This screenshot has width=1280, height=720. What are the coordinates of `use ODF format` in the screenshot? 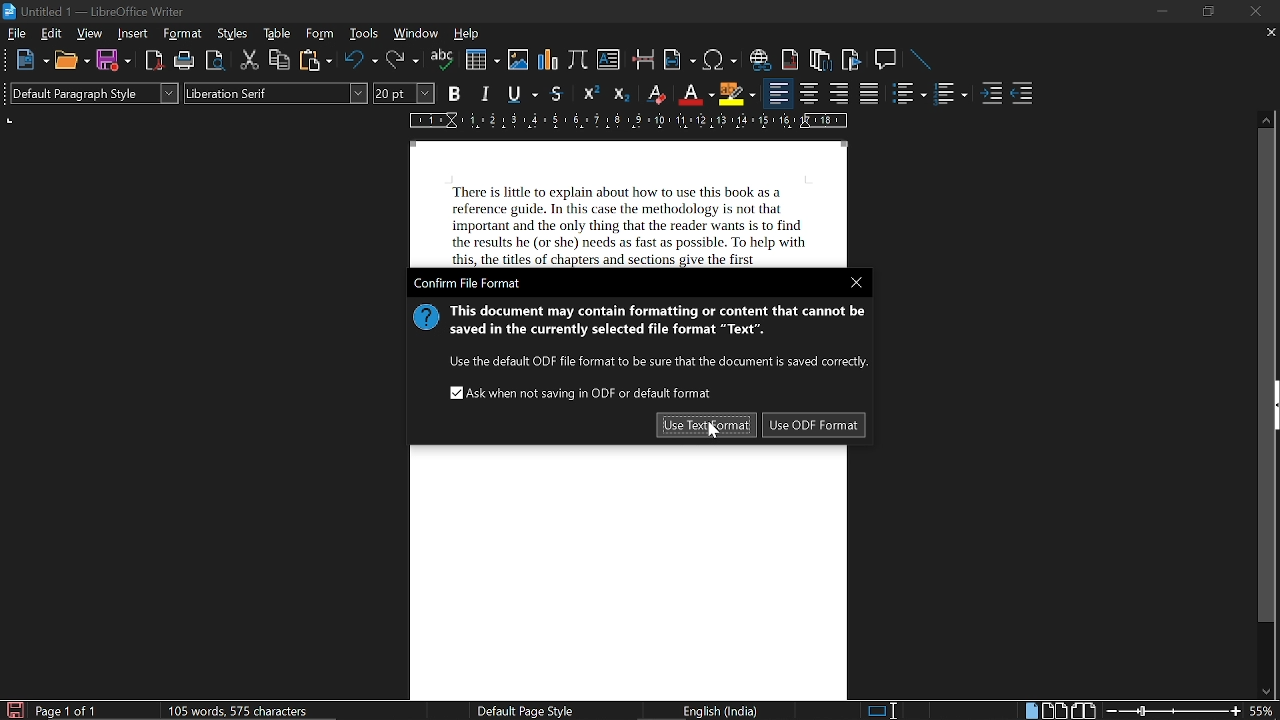 It's located at (812, 425).